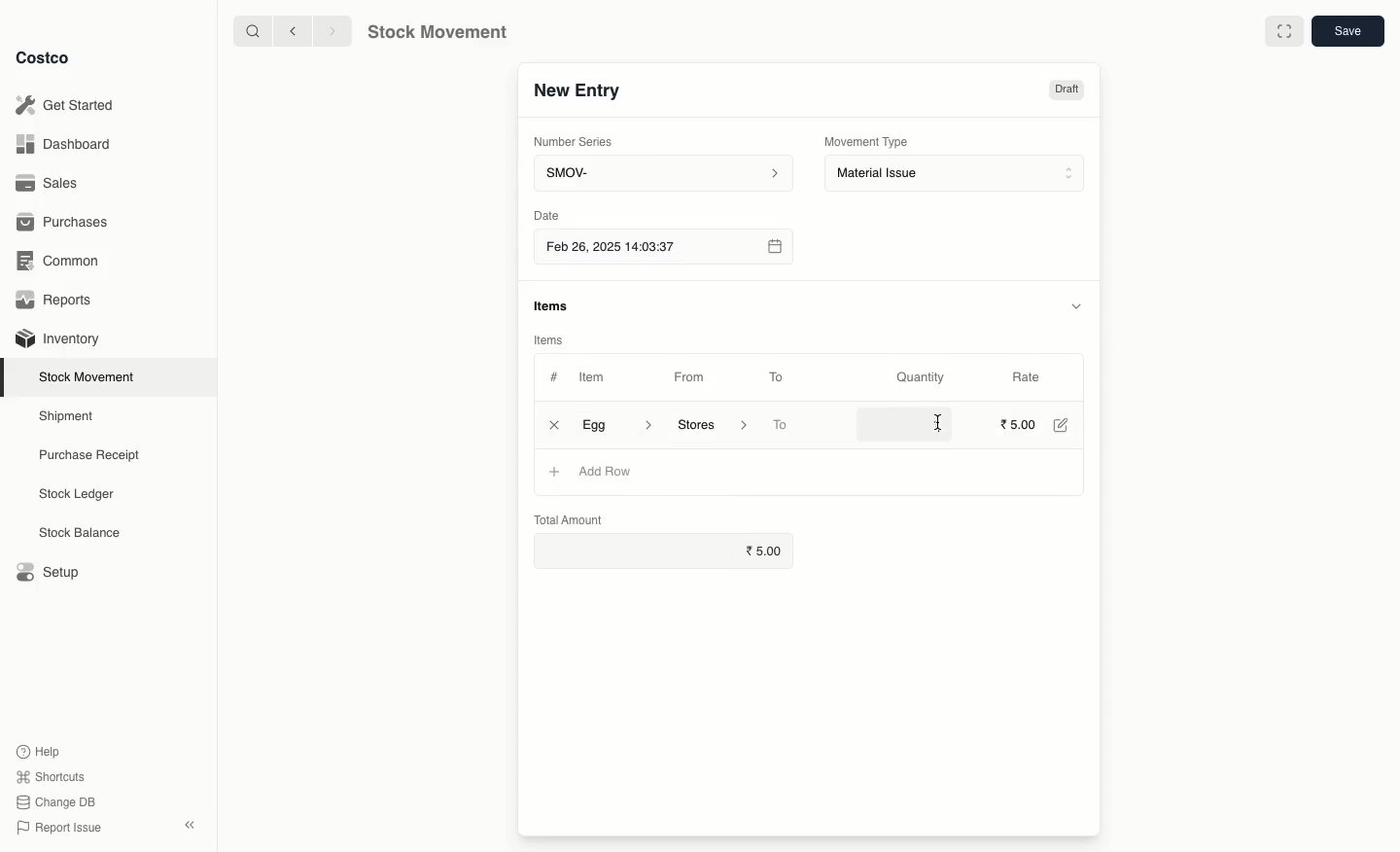 Image resolution: width=1400 pixels, height=852 pixels. Describe the element at coordinates (46, 570) in the screenshot. I see `Setup` at that location.